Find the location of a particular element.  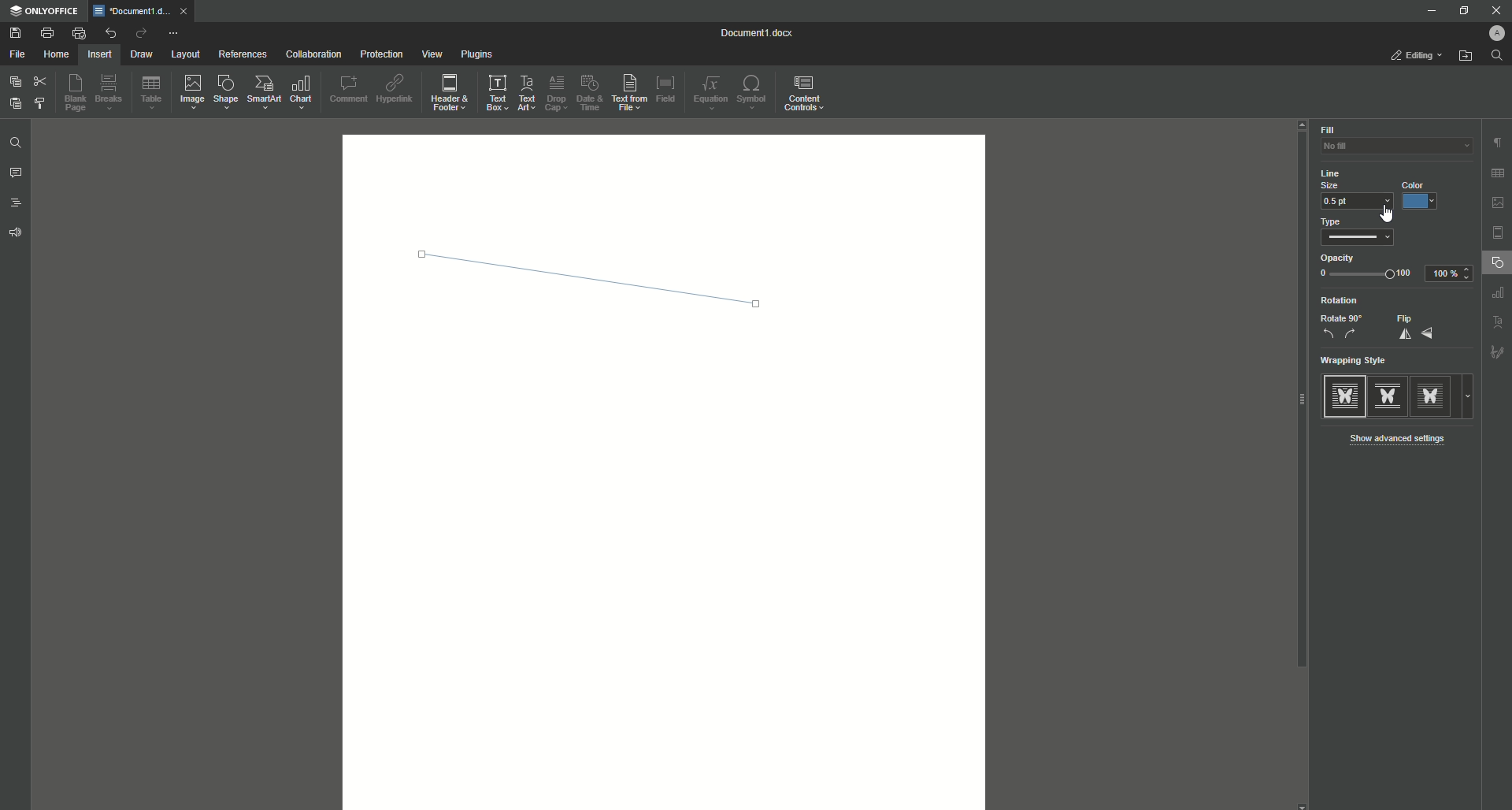

Rotate 90% is located at coordinates (1340, 327).